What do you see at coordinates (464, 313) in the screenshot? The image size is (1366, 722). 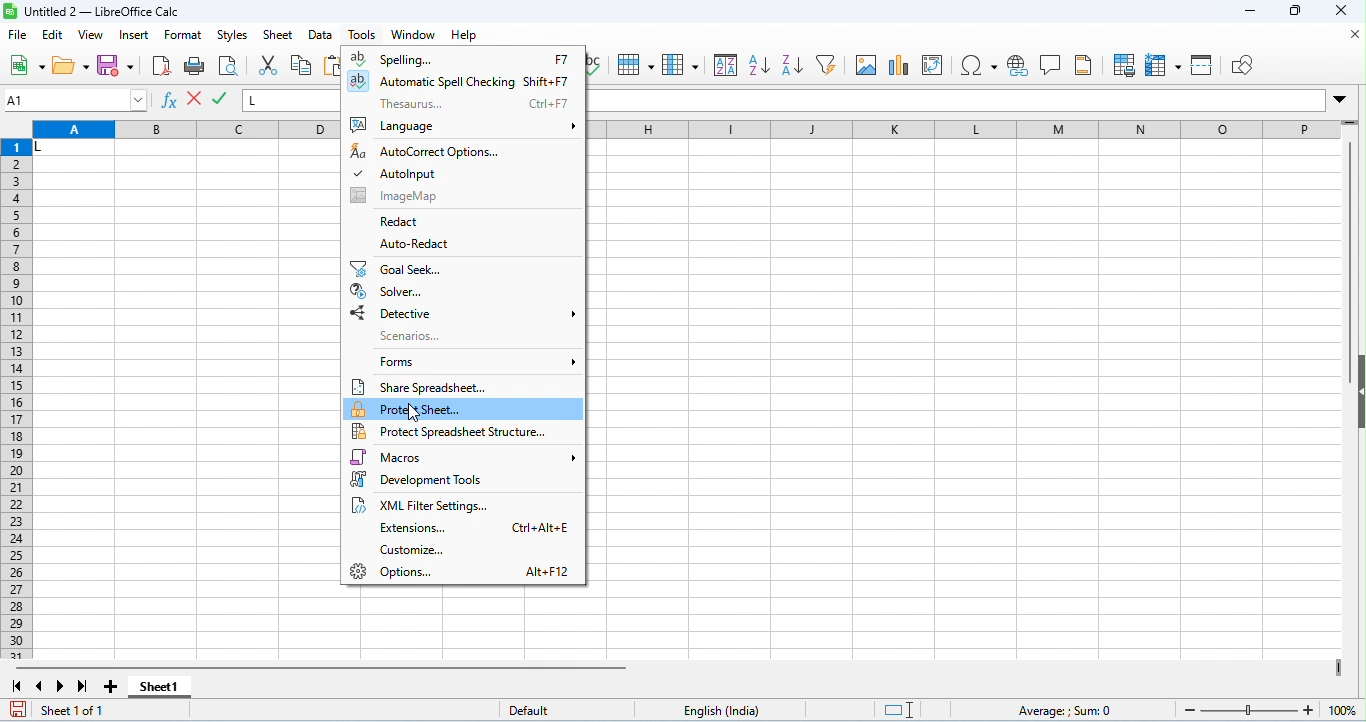 I see `detective` at bounding box center [464, 313].